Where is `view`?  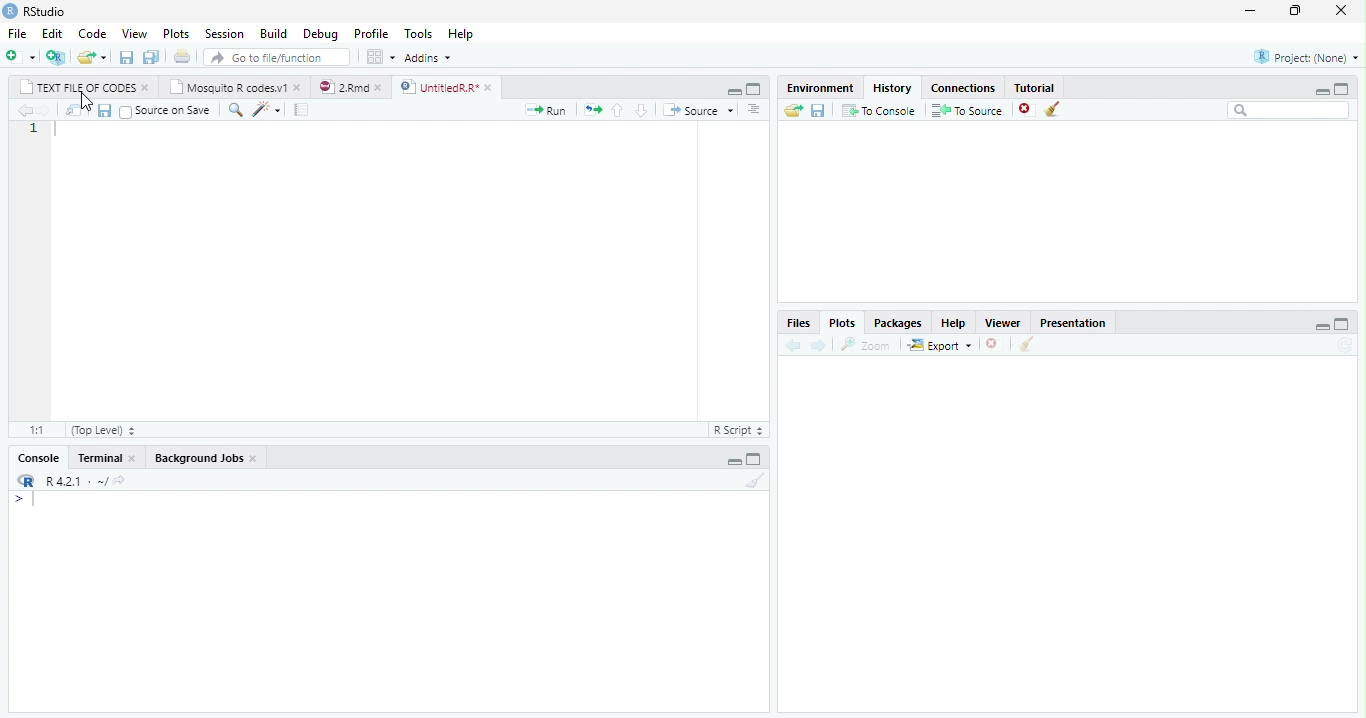 view is located at coordinates (131, 32).